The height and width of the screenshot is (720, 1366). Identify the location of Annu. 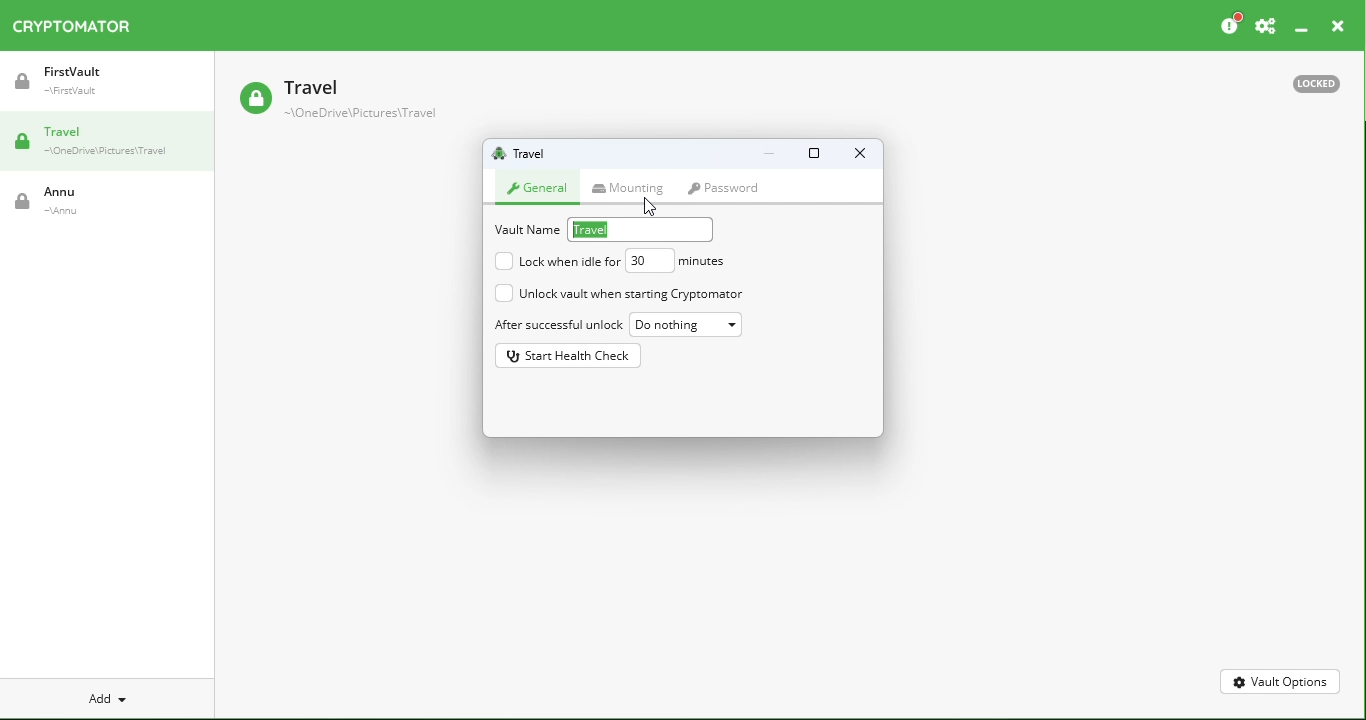
(107, 205).